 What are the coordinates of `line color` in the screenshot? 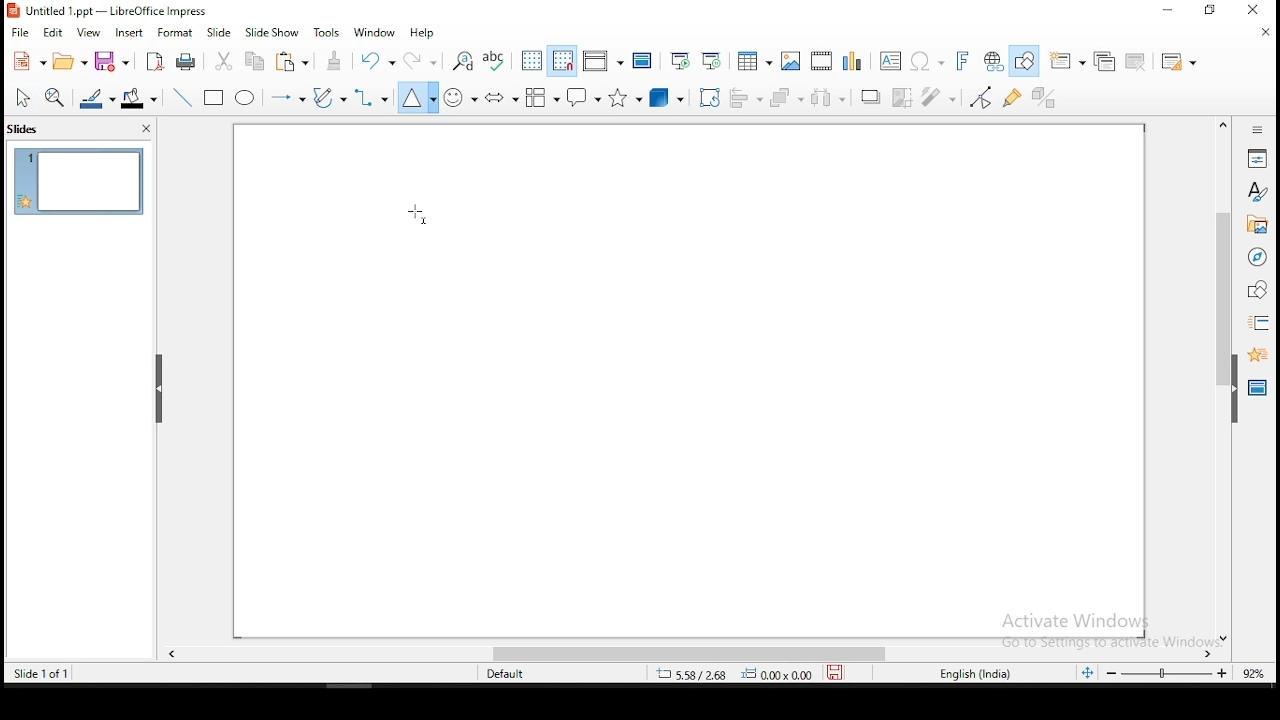 It's located at (97, 97).